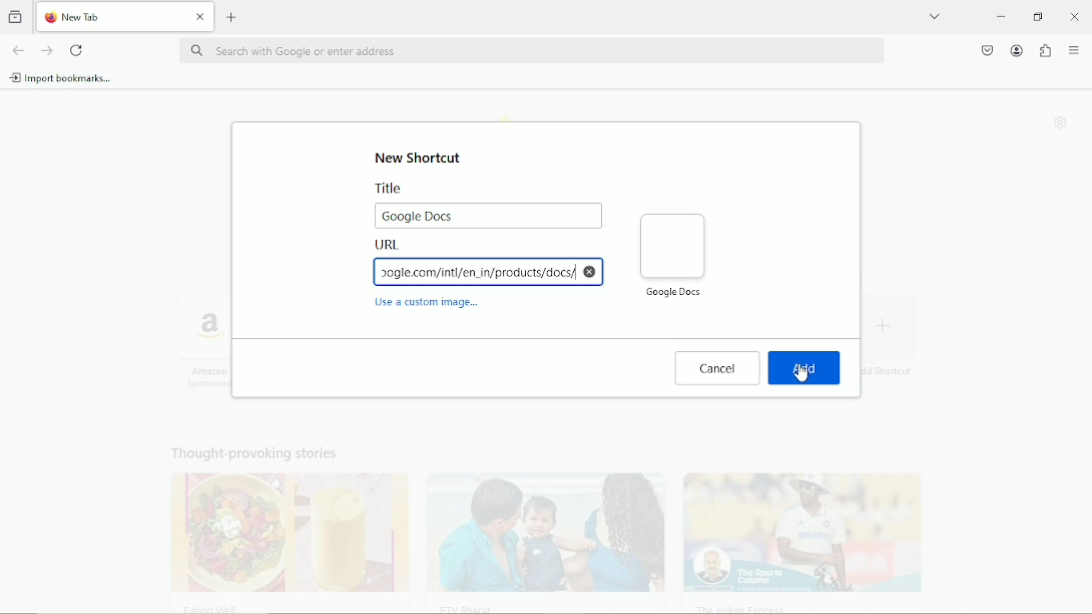  Describe the element at coordinates (17, 49) in the screenshot. I see `go back` at that location.